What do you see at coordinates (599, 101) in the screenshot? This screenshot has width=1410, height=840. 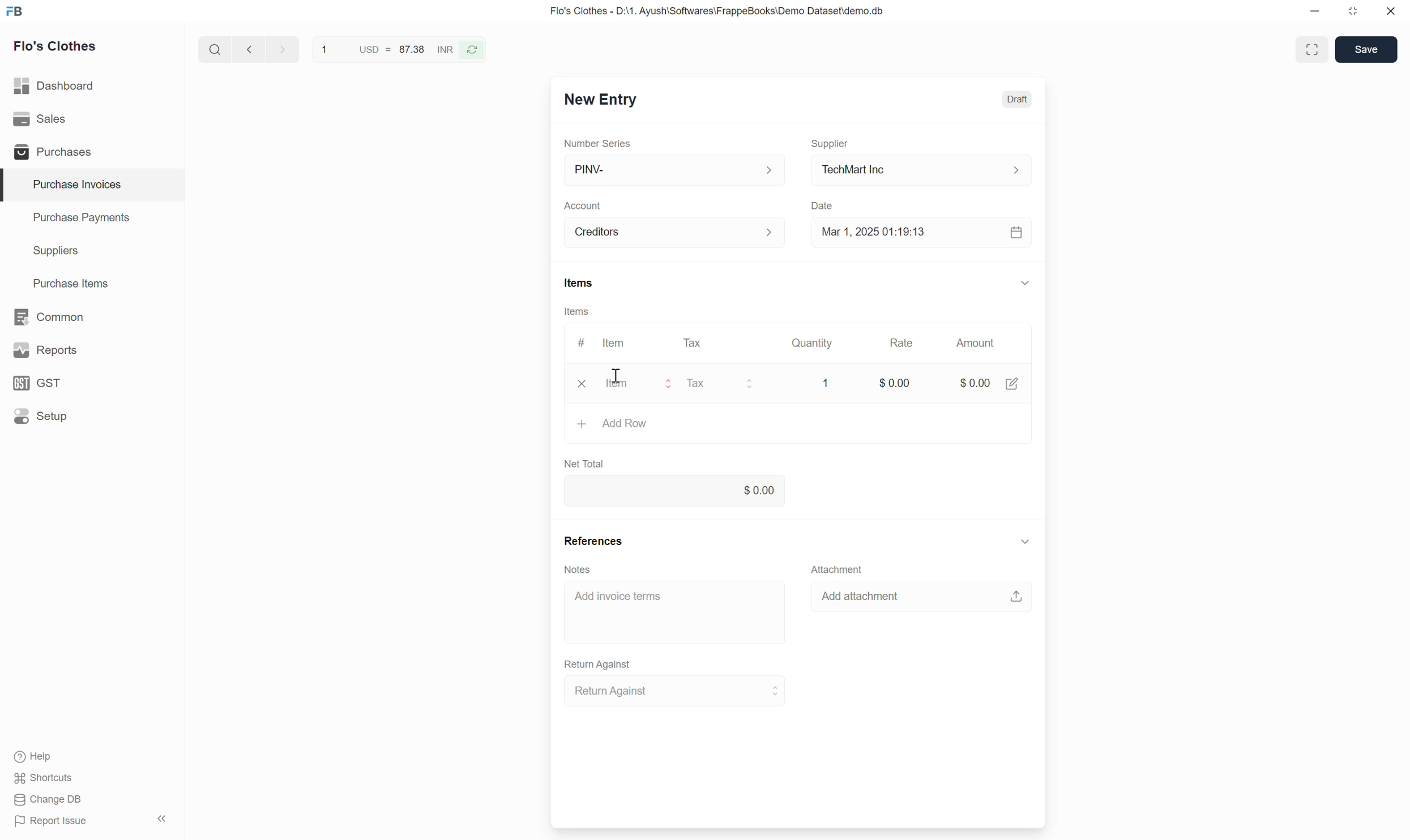 I see `New Entry` at bounding box center [599, 101].